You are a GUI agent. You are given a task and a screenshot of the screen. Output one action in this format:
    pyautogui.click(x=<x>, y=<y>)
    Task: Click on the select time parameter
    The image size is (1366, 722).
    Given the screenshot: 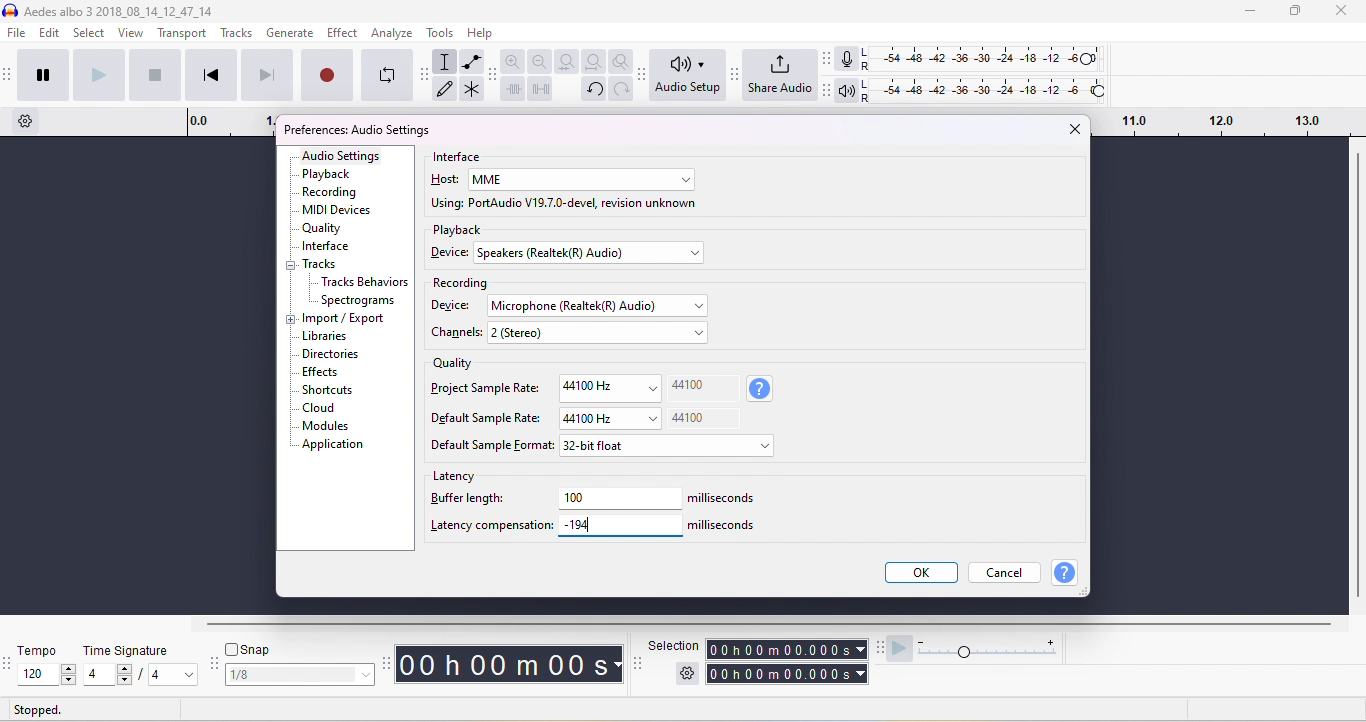 What is the action you would take?
    pyautogui.click(x=861, y=674)
    